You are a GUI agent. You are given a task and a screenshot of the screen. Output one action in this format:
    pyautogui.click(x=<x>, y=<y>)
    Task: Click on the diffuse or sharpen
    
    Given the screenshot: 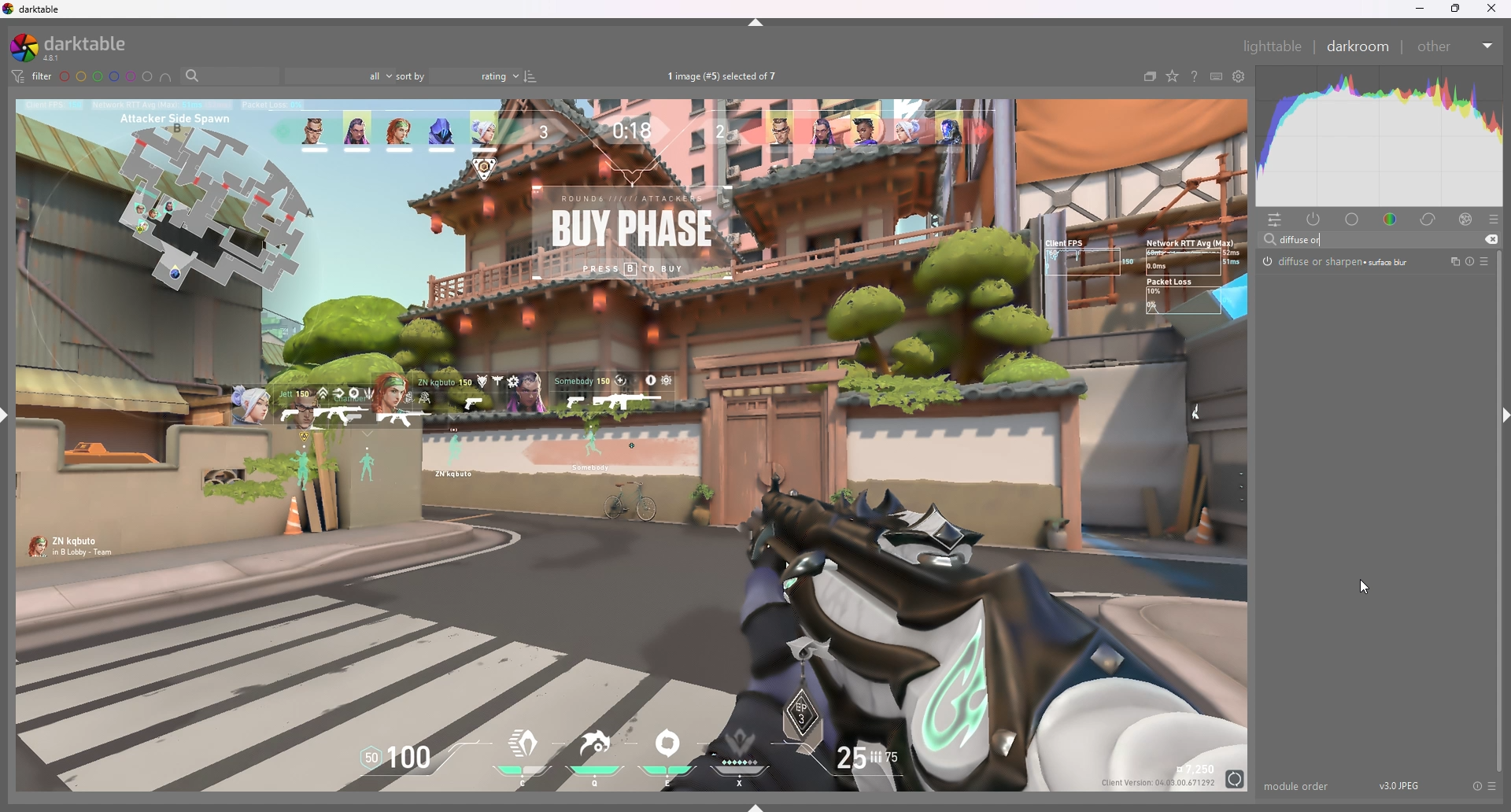 What is the action you would take?
    pyautogui.click(x=1346, y=260)
    